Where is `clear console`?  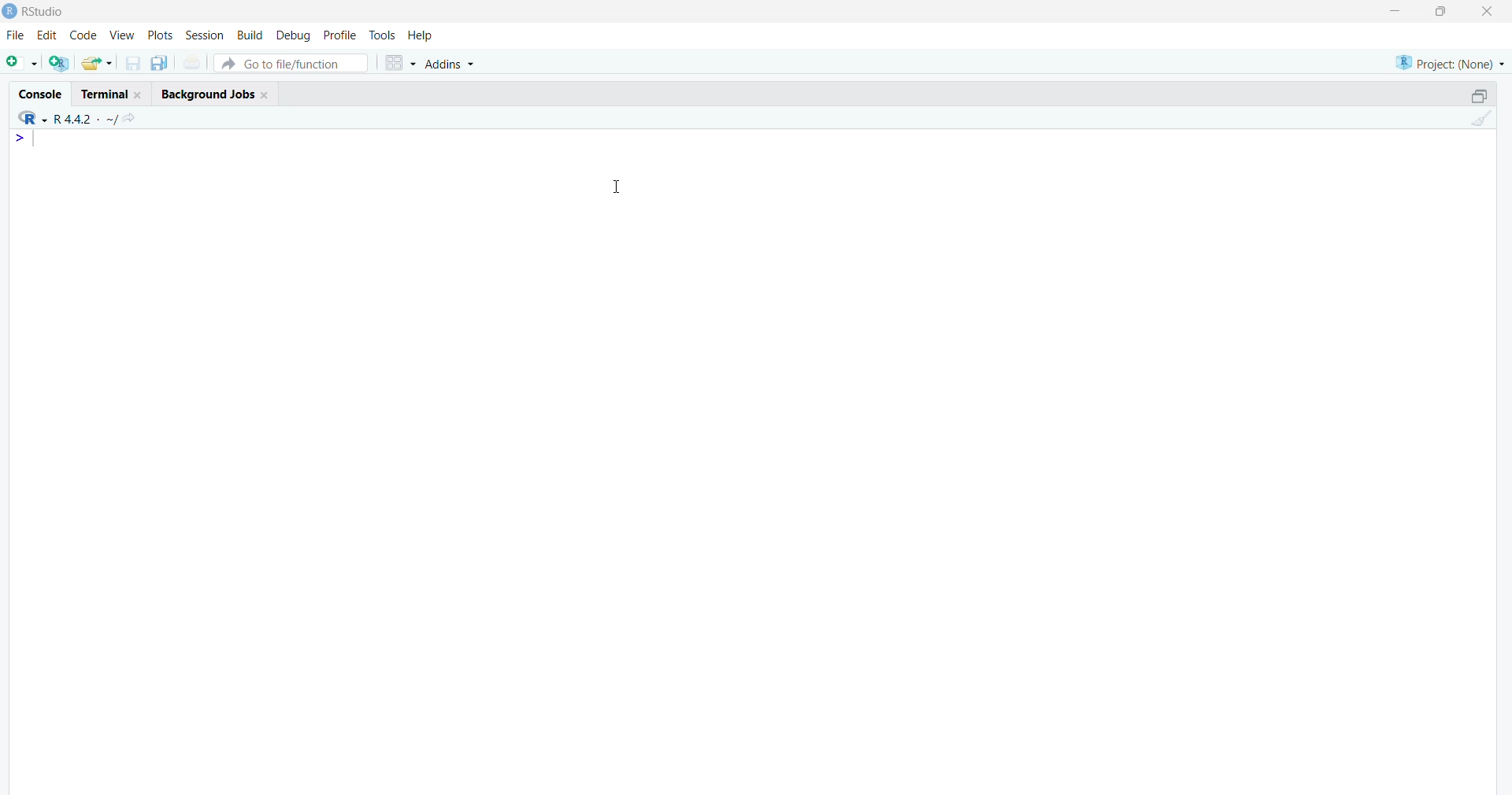 clear console is located at coordinates (1480, 120).